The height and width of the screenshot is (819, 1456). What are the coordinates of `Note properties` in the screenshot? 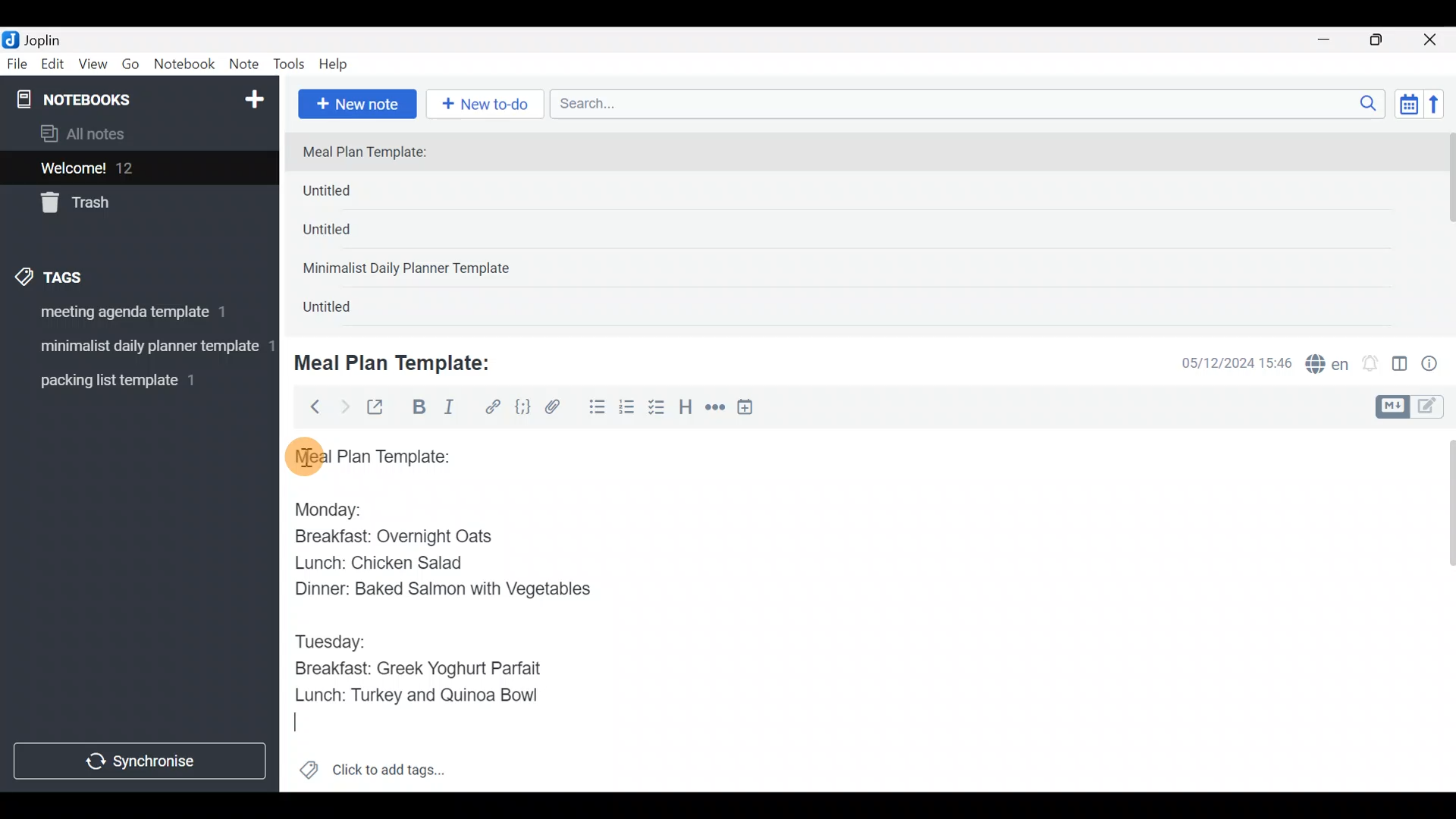 It's located at (1436, 365).